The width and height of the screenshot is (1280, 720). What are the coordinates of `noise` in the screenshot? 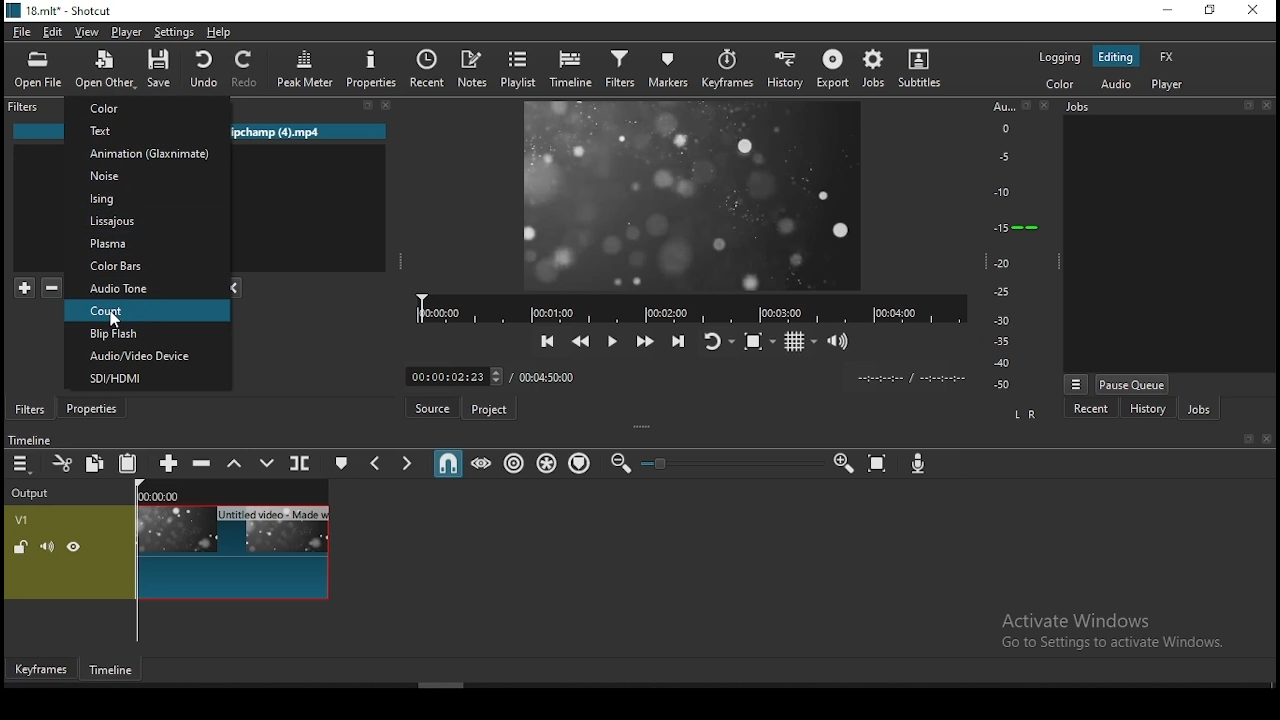 It's located at (148, 176).